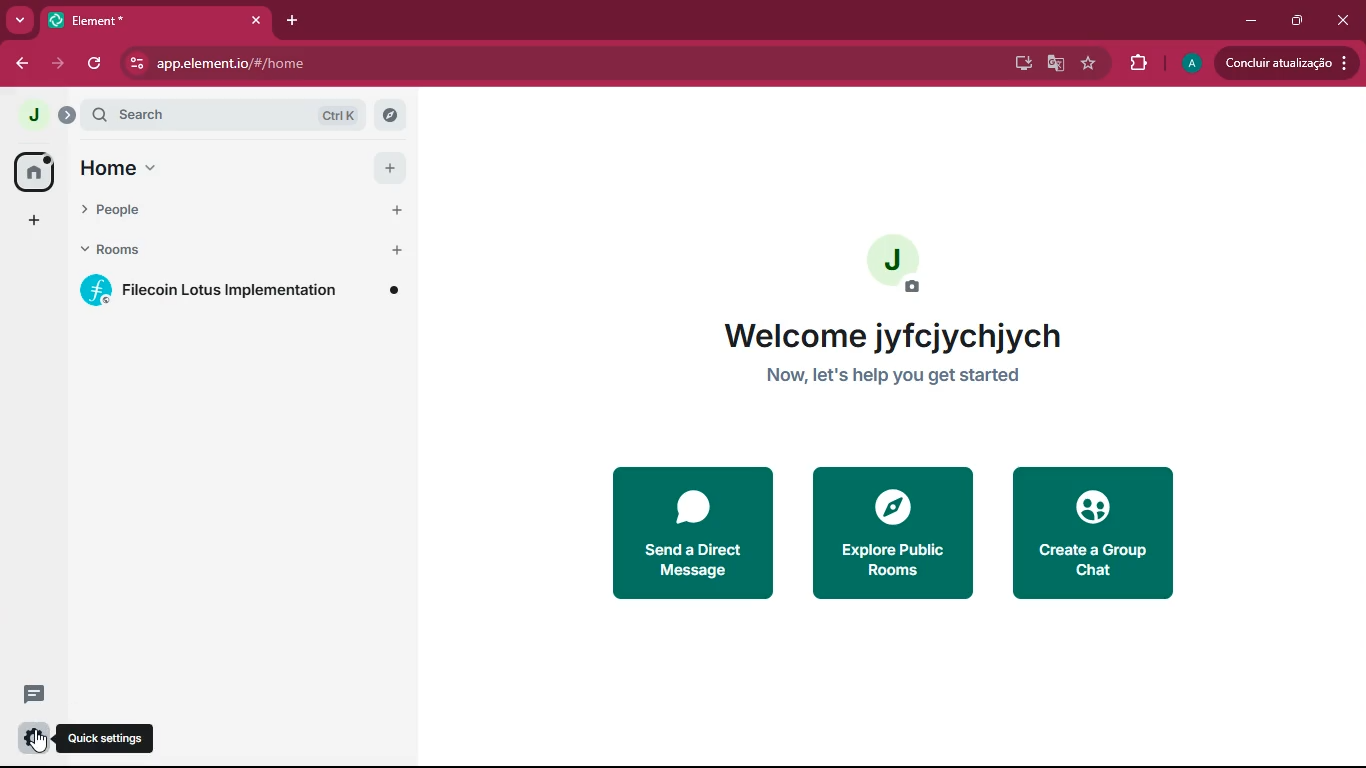 The image size is (1366, 768). I want to click on website url, so click(220, 65).